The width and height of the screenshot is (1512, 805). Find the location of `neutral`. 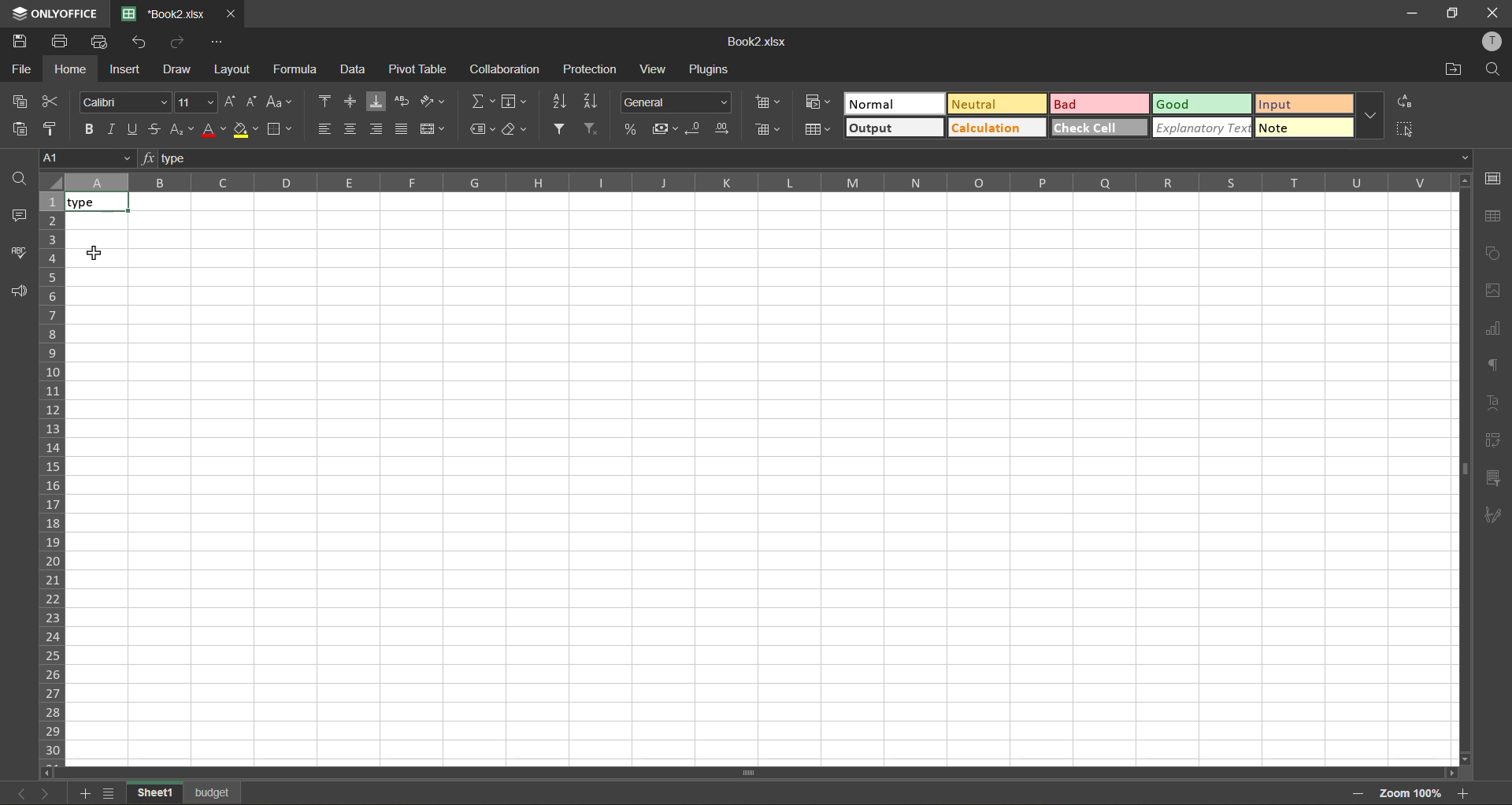

neutral is located at coordinates (999, 103).